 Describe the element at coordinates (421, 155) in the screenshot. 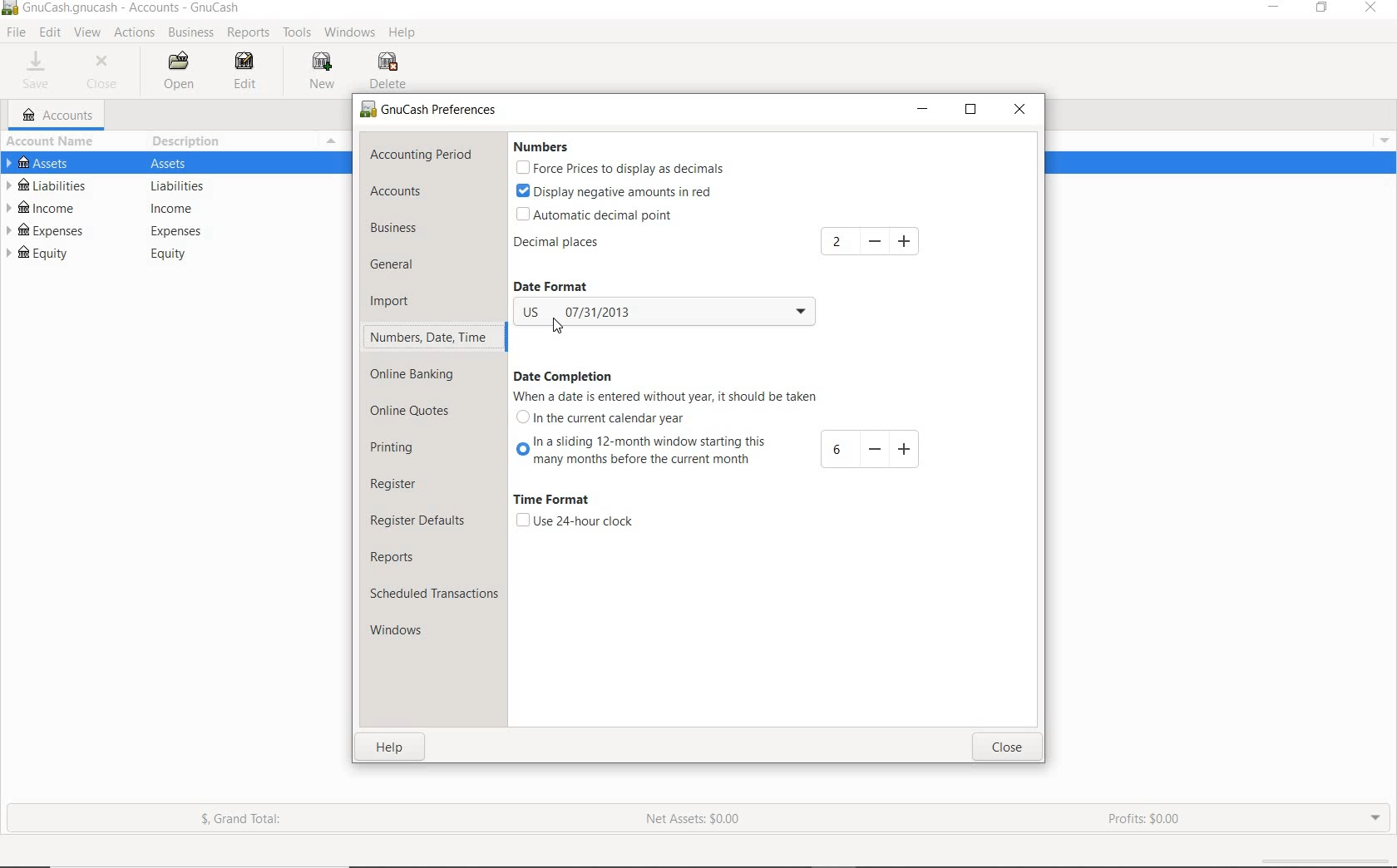

I see `accounting period` at that location.